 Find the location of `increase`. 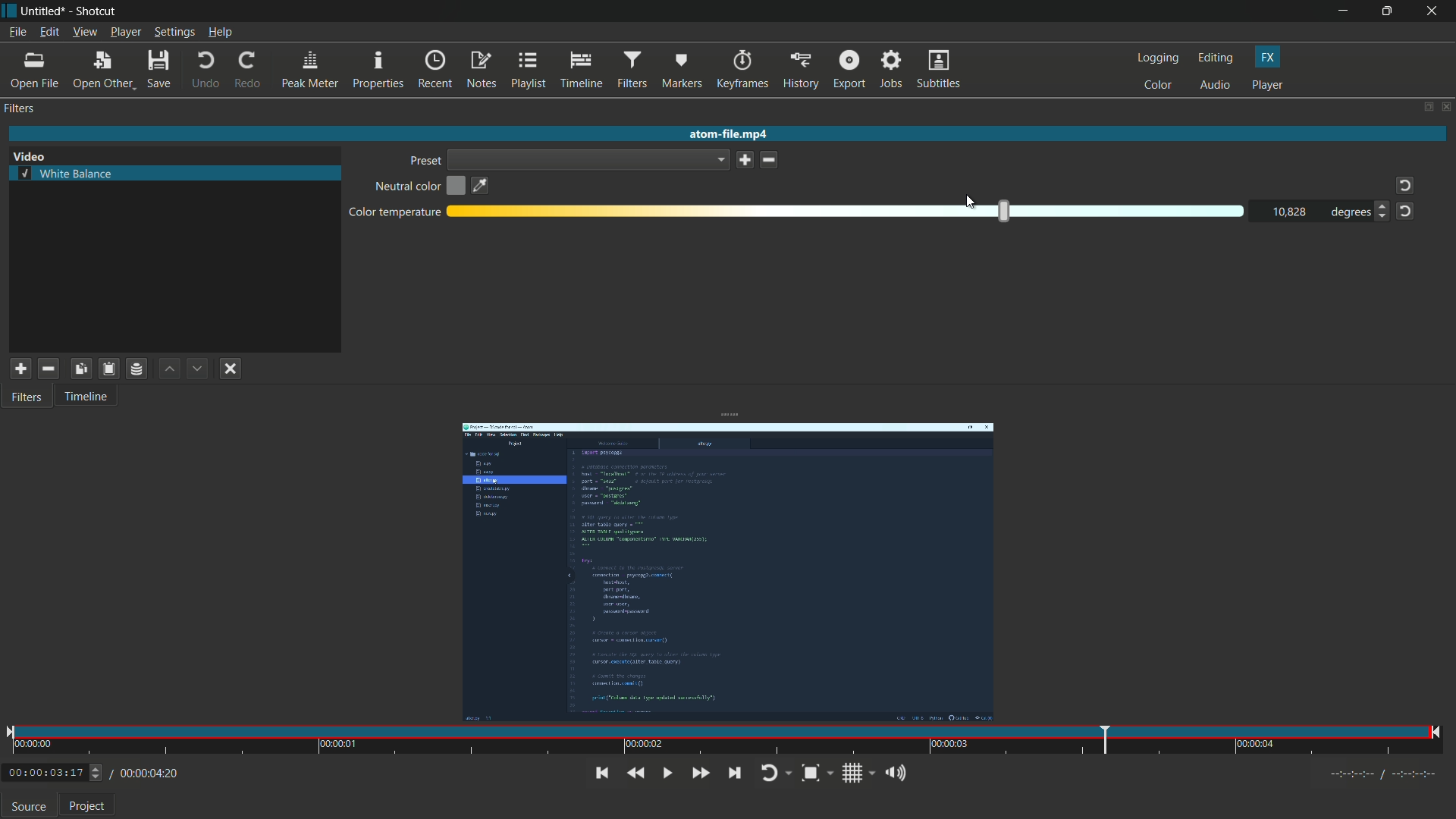

increase is located at coordinates (1380, 206).